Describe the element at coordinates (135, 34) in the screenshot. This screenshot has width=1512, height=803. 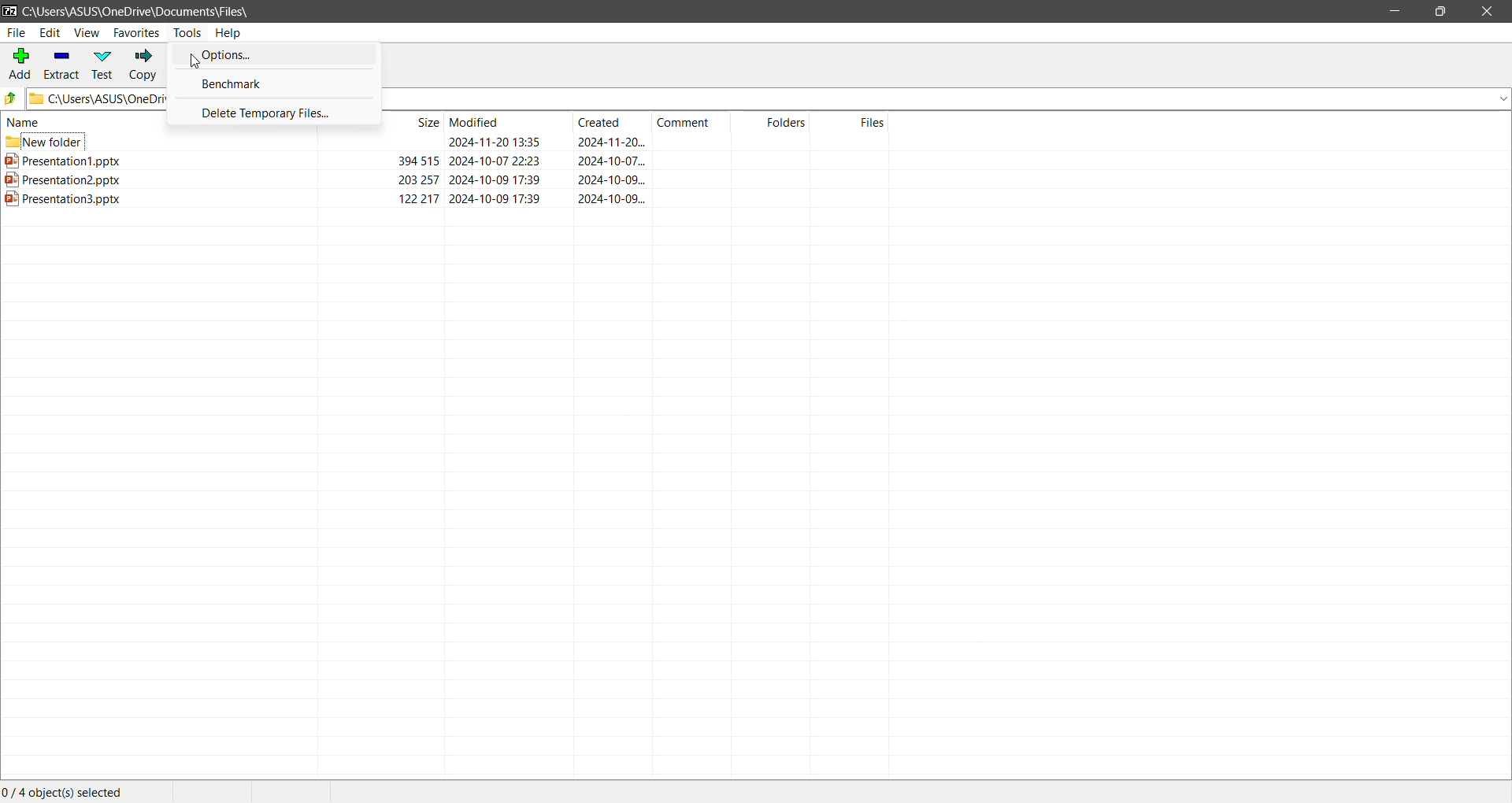
I see `Favorites` at that location.